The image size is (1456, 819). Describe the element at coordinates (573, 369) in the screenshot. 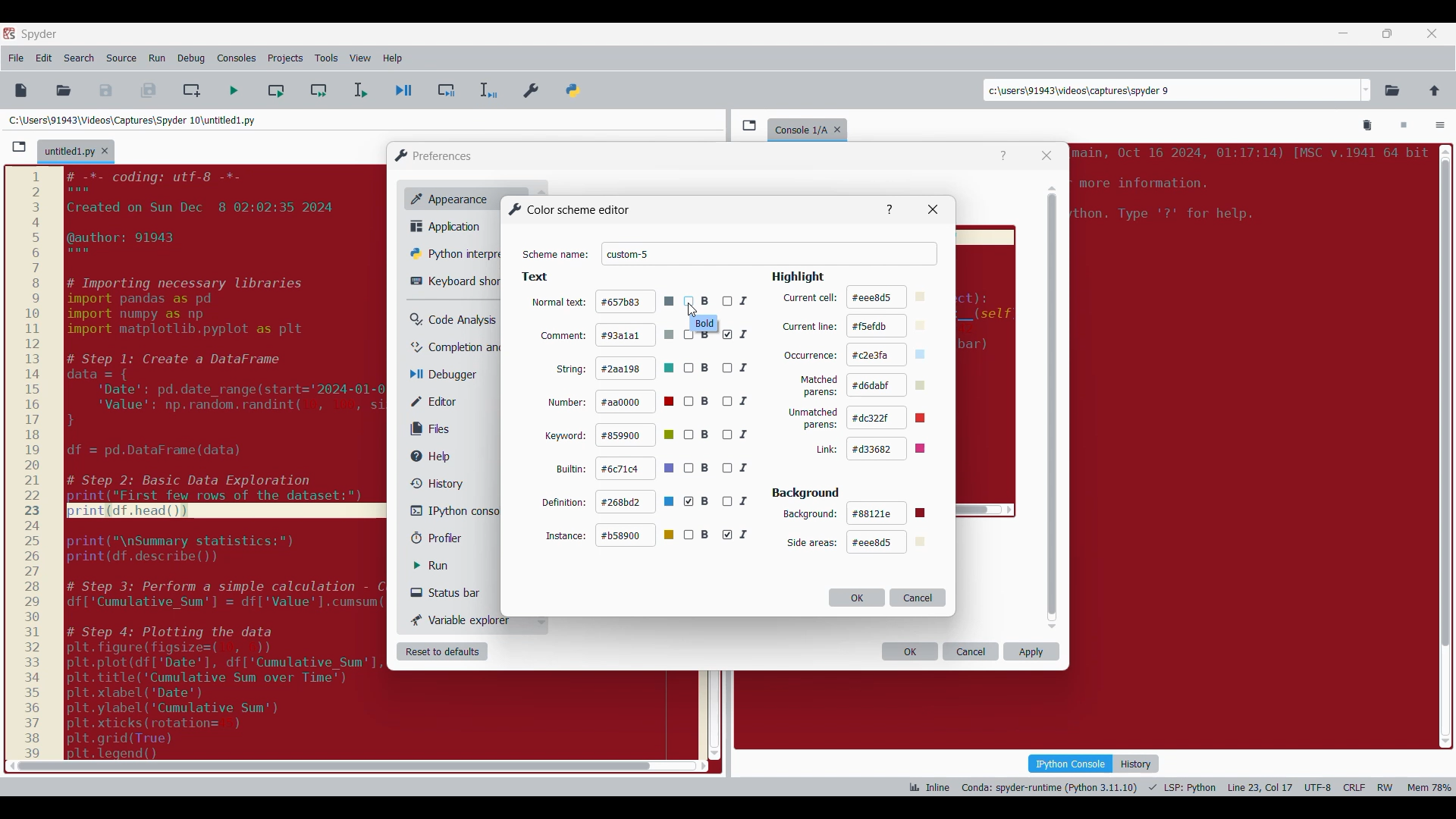

I see `string` at that location.